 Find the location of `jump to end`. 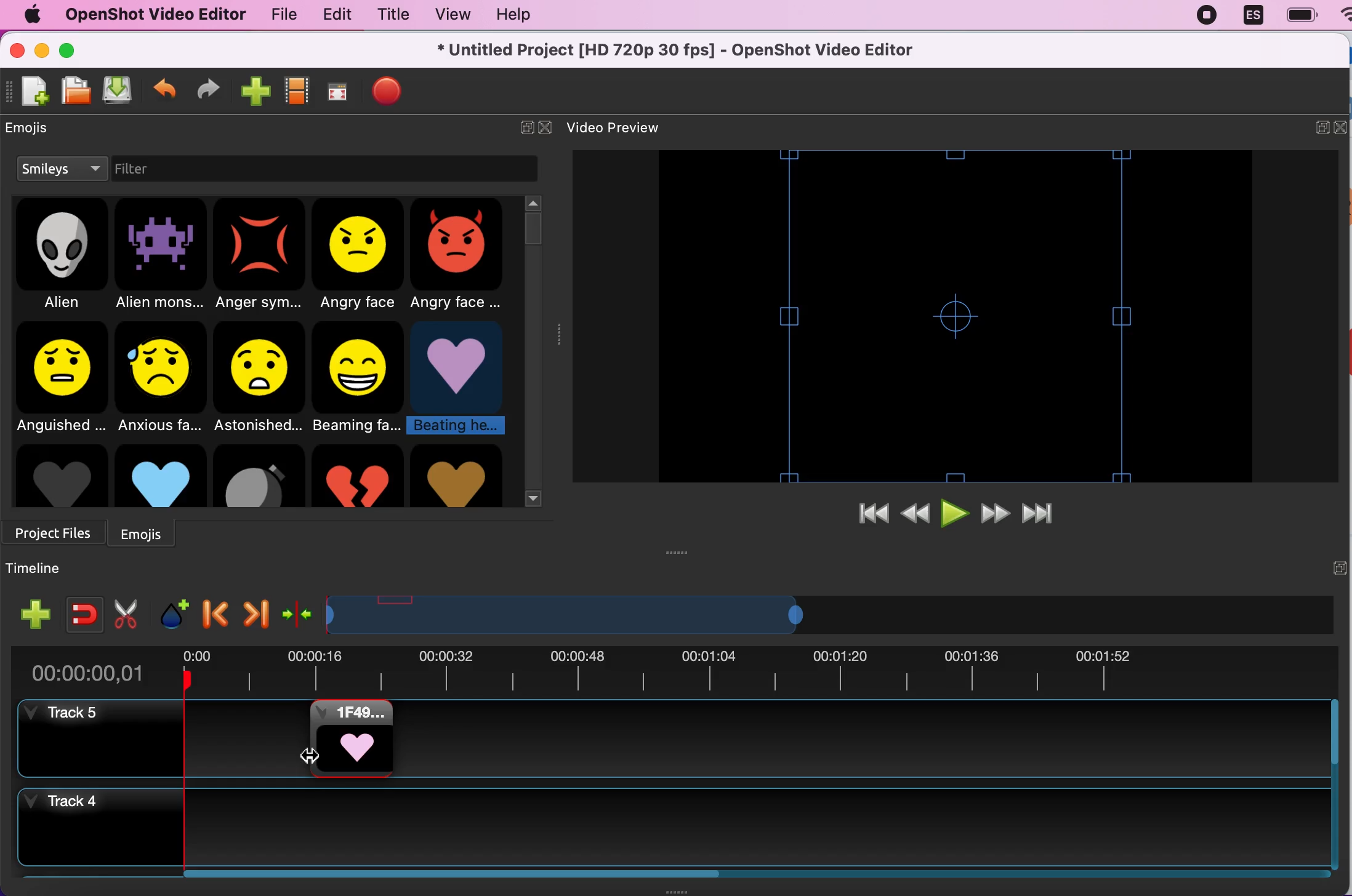

jump to end is located at coordinates (1048, 509).